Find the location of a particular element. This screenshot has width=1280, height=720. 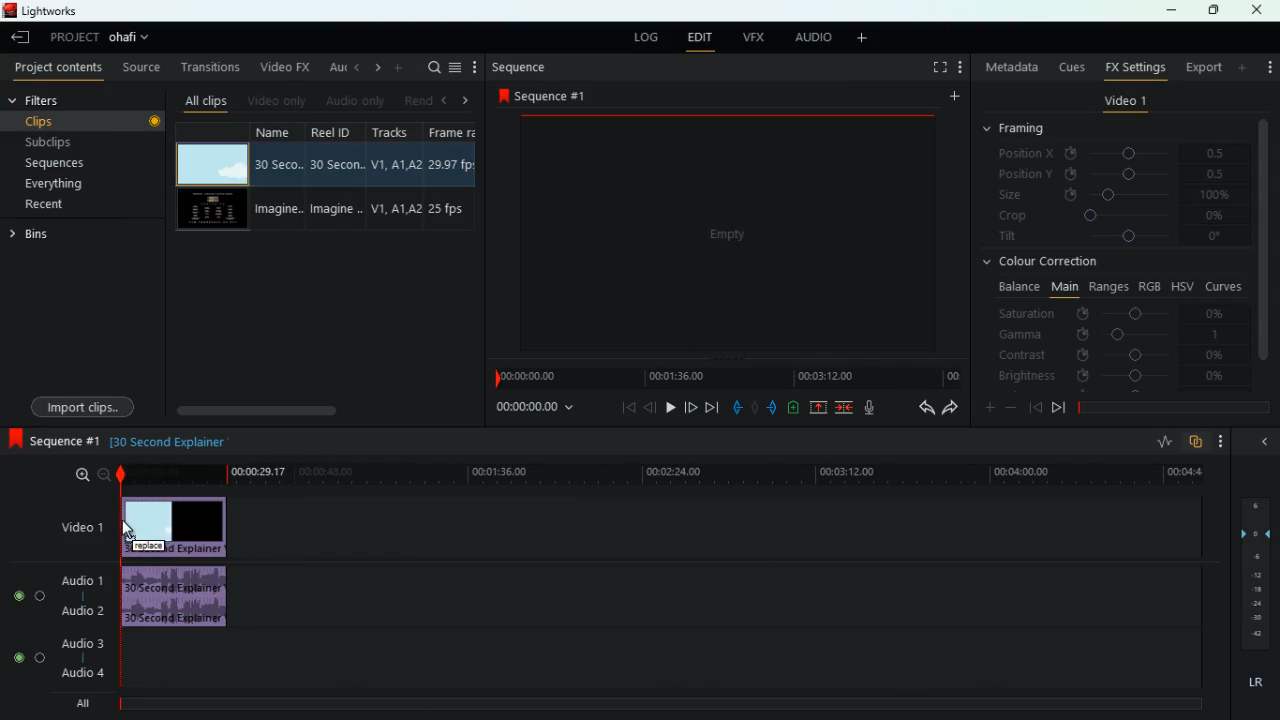

video 1 is located at coordinates (75, 527).